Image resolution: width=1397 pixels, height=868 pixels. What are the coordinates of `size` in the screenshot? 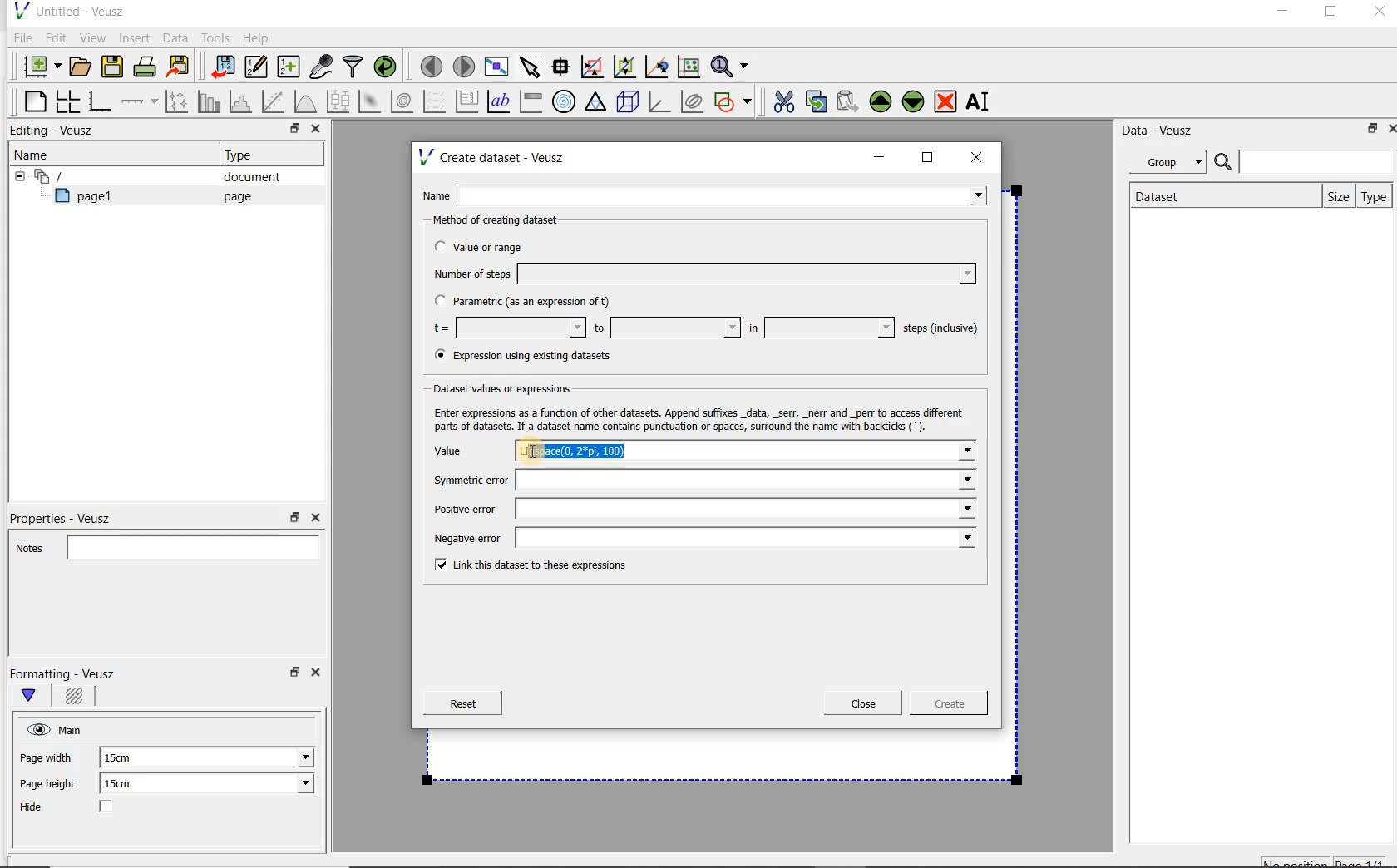 It's located at (1335, 195).